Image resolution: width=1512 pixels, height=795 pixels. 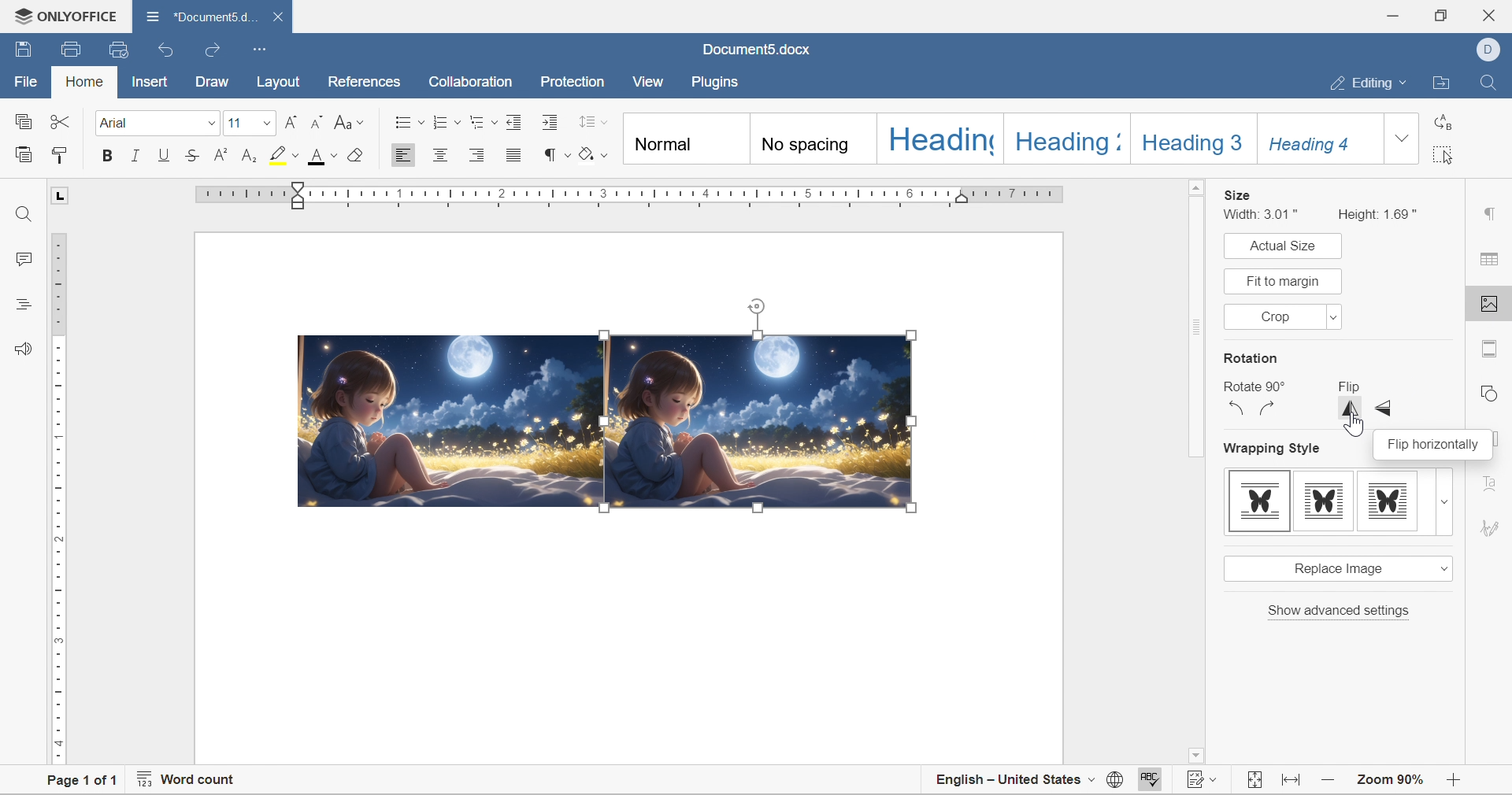 I want to click on file, so click(x=28, y=81).